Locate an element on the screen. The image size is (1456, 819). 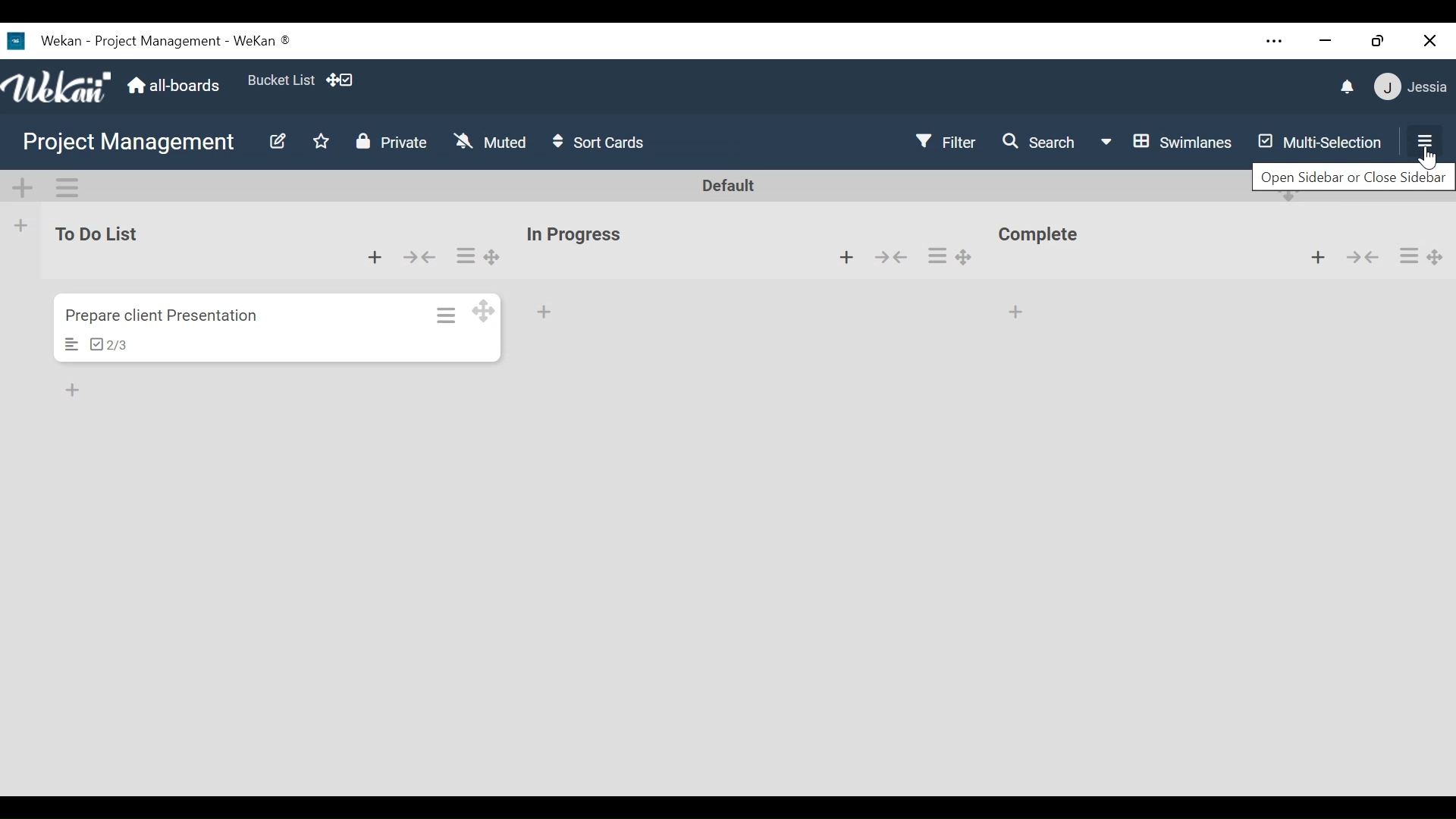
Checklist is located at coordinates (108, 344).